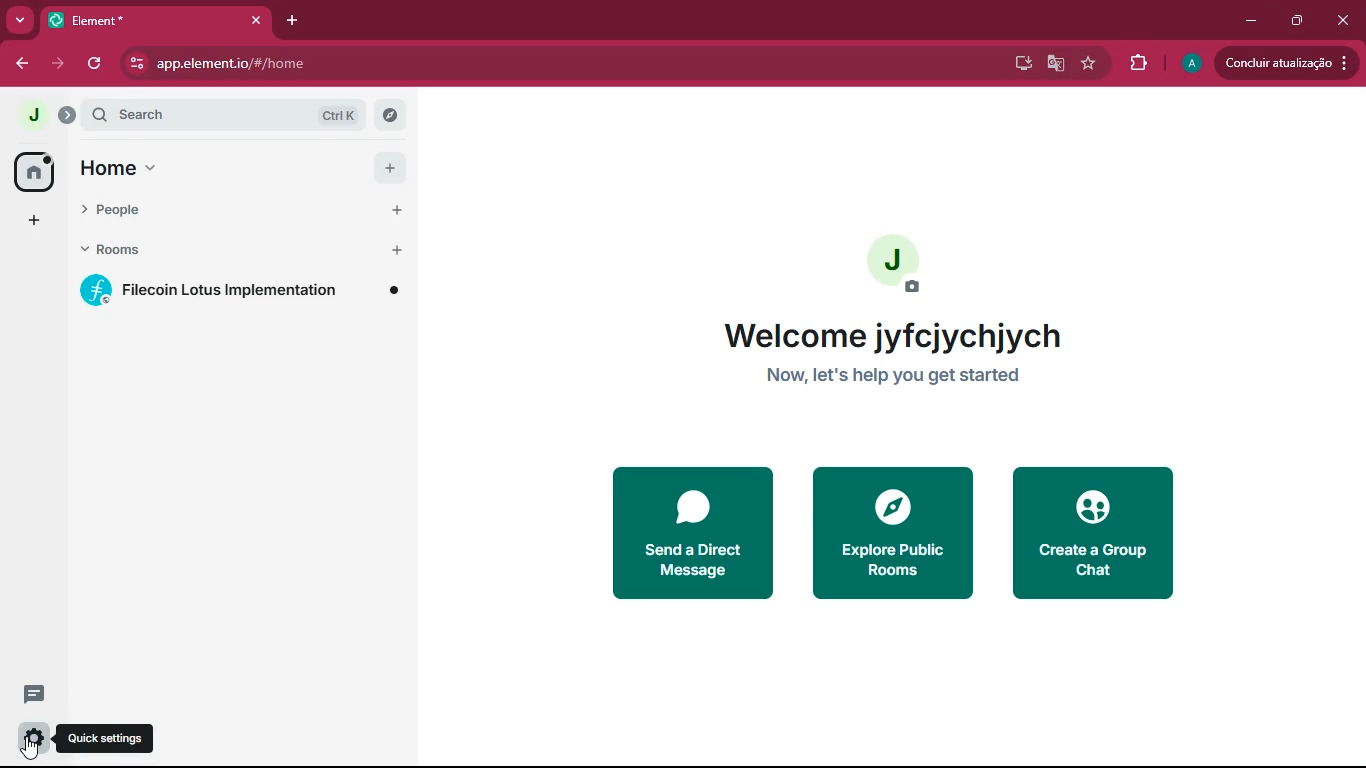  I want to click on send a direct message, so click(688, 534).